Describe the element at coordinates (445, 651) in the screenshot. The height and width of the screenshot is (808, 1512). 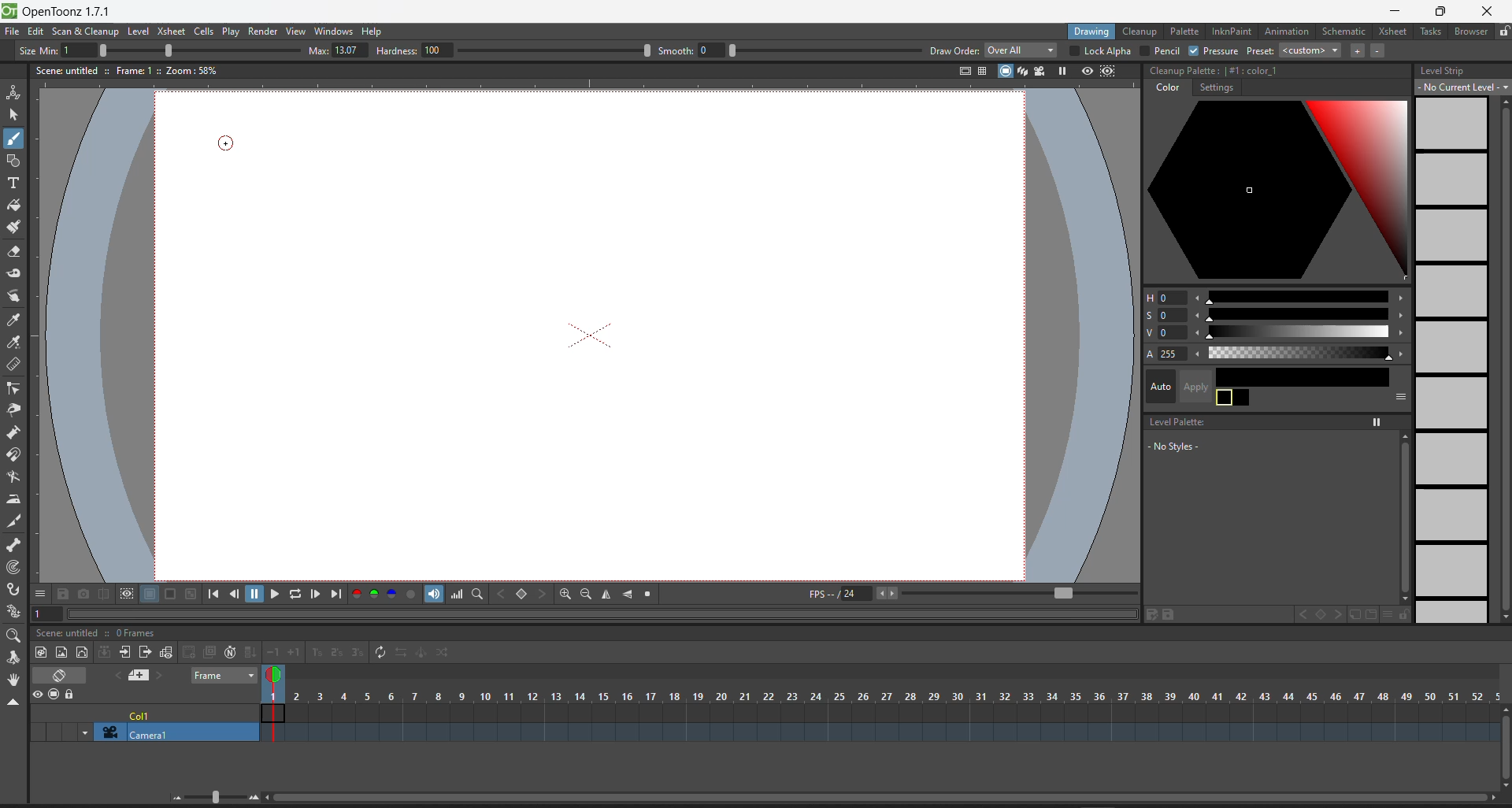
I see `random` at that location.